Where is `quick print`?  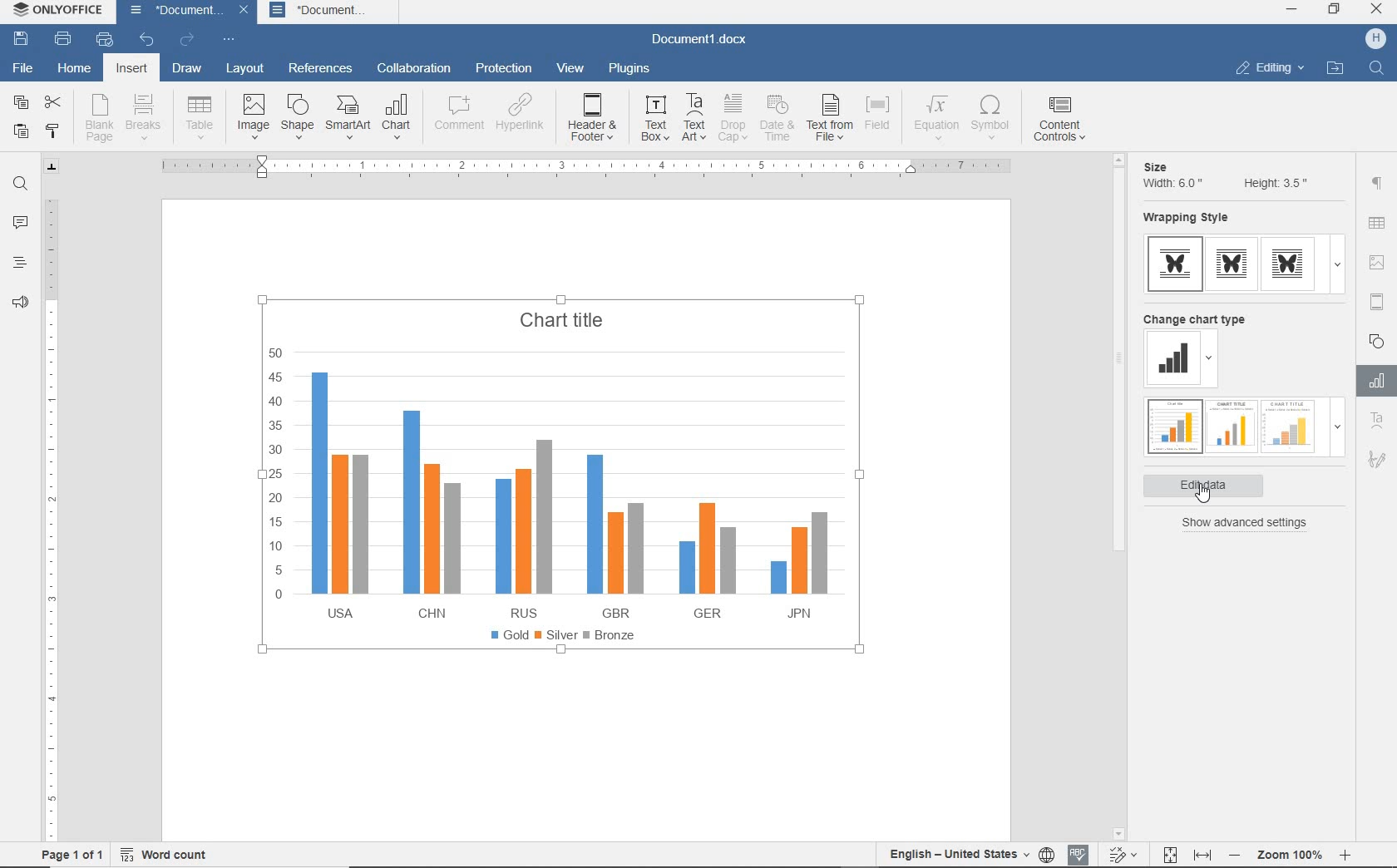
quick print is located at coordinates (103, 40).